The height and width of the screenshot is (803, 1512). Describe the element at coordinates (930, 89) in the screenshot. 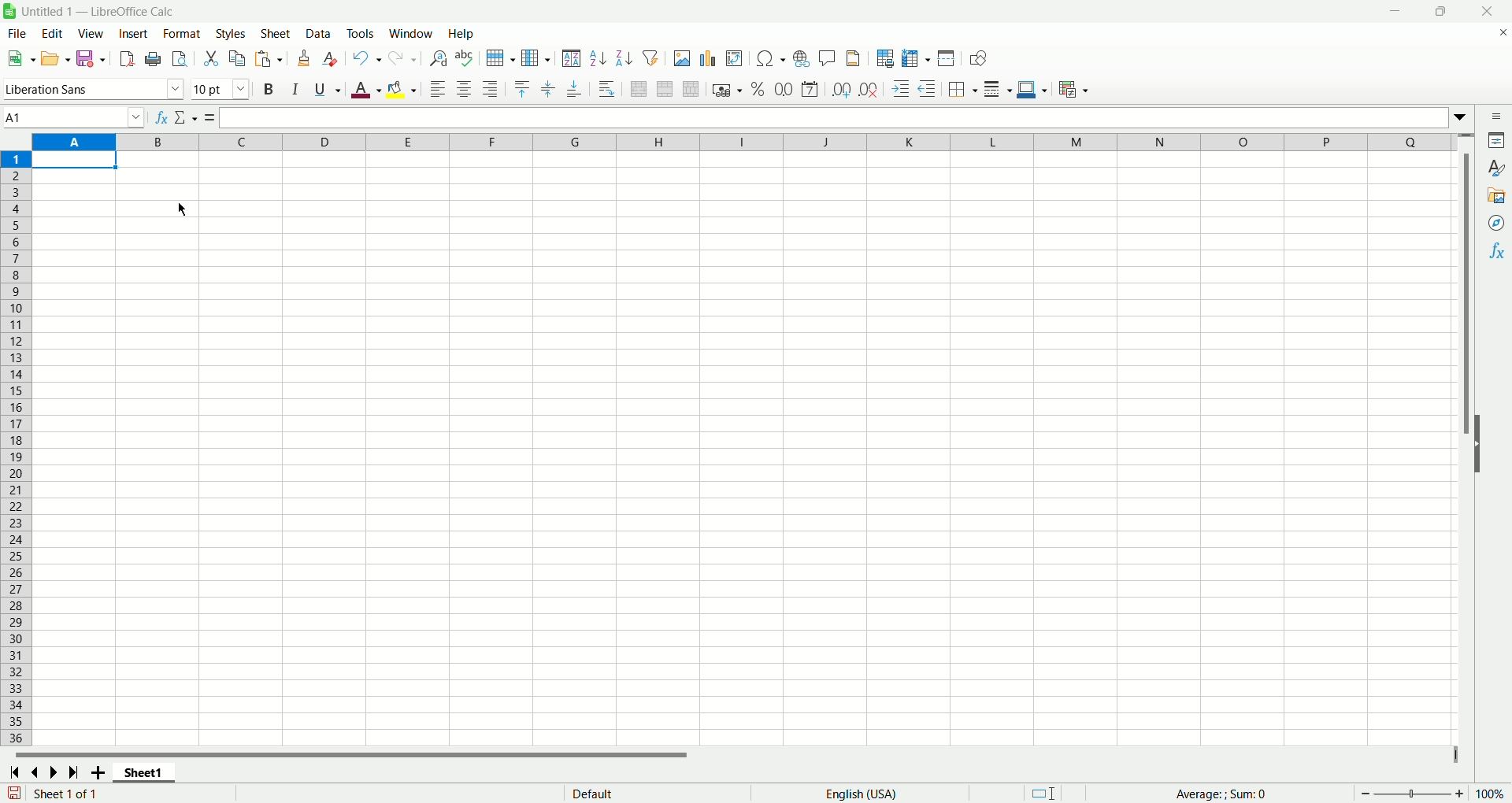

I see `decrease indent` at that location.